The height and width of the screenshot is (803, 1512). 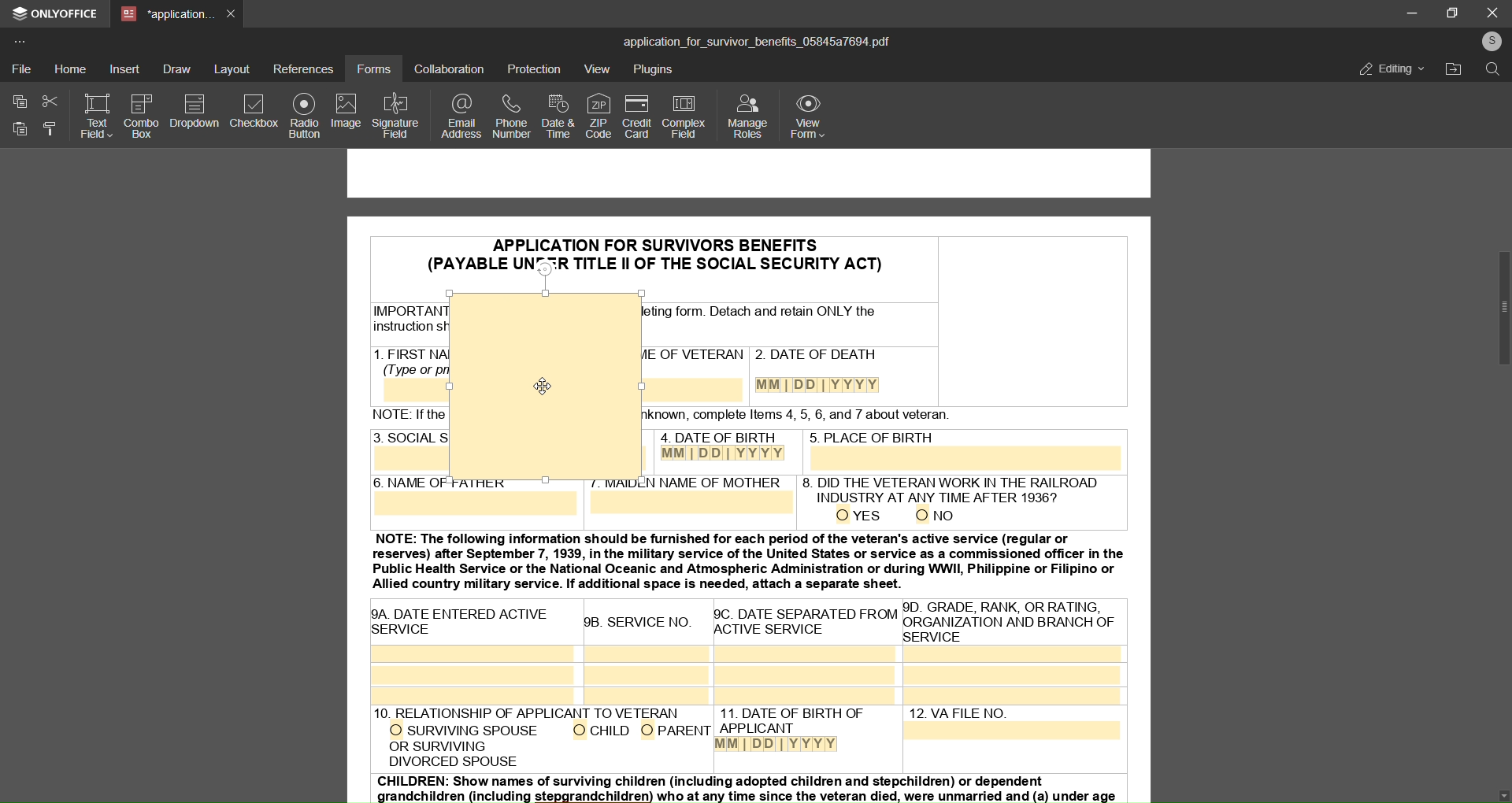 I want to click on references, so click(x=304, y=68).